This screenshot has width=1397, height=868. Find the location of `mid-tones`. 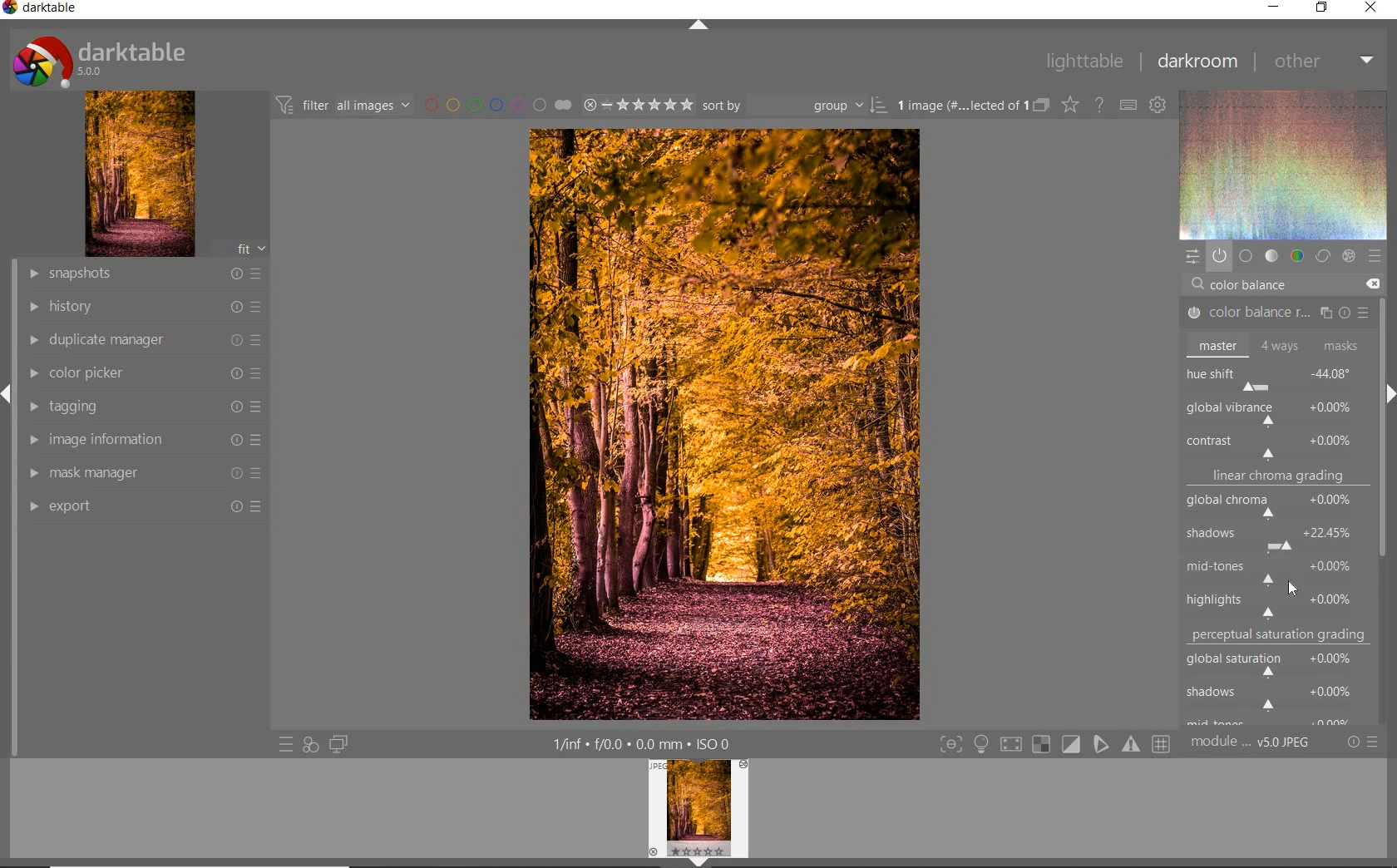

mid-tones is located at coordinates (1274, 570).